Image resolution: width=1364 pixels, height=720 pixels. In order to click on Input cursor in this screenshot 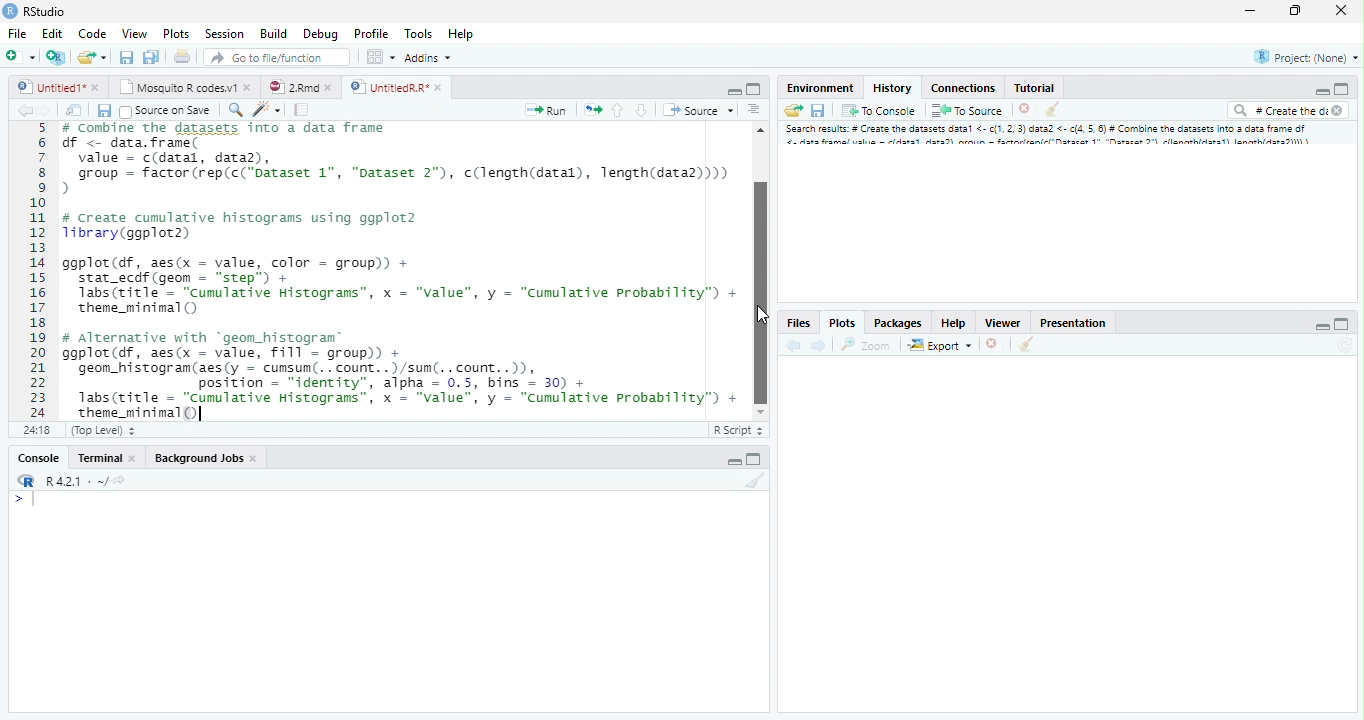, I will do `click(30, 500)`.